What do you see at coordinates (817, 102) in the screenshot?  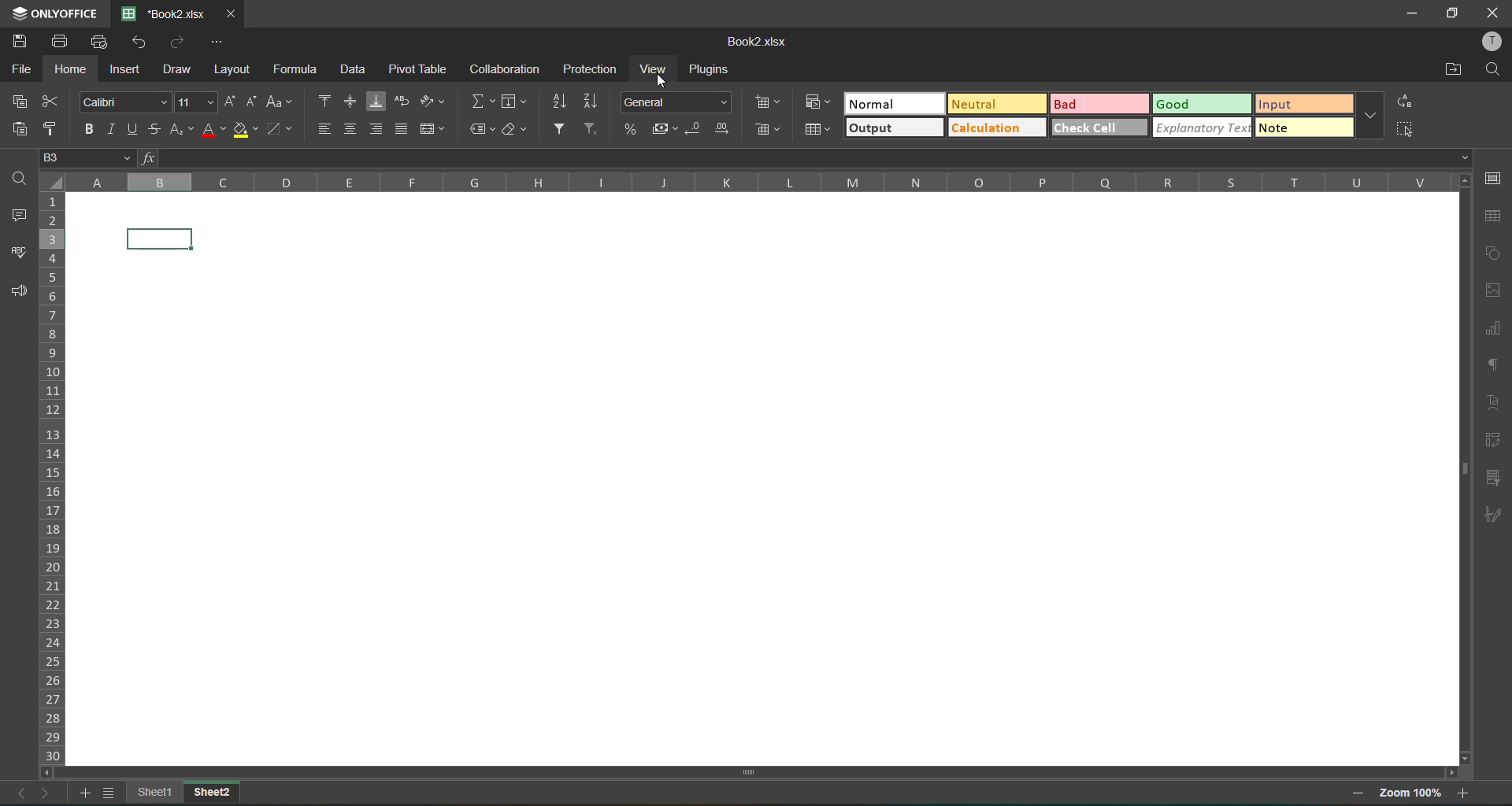 I see `conditional formatting` at bounding box center [817, 102].